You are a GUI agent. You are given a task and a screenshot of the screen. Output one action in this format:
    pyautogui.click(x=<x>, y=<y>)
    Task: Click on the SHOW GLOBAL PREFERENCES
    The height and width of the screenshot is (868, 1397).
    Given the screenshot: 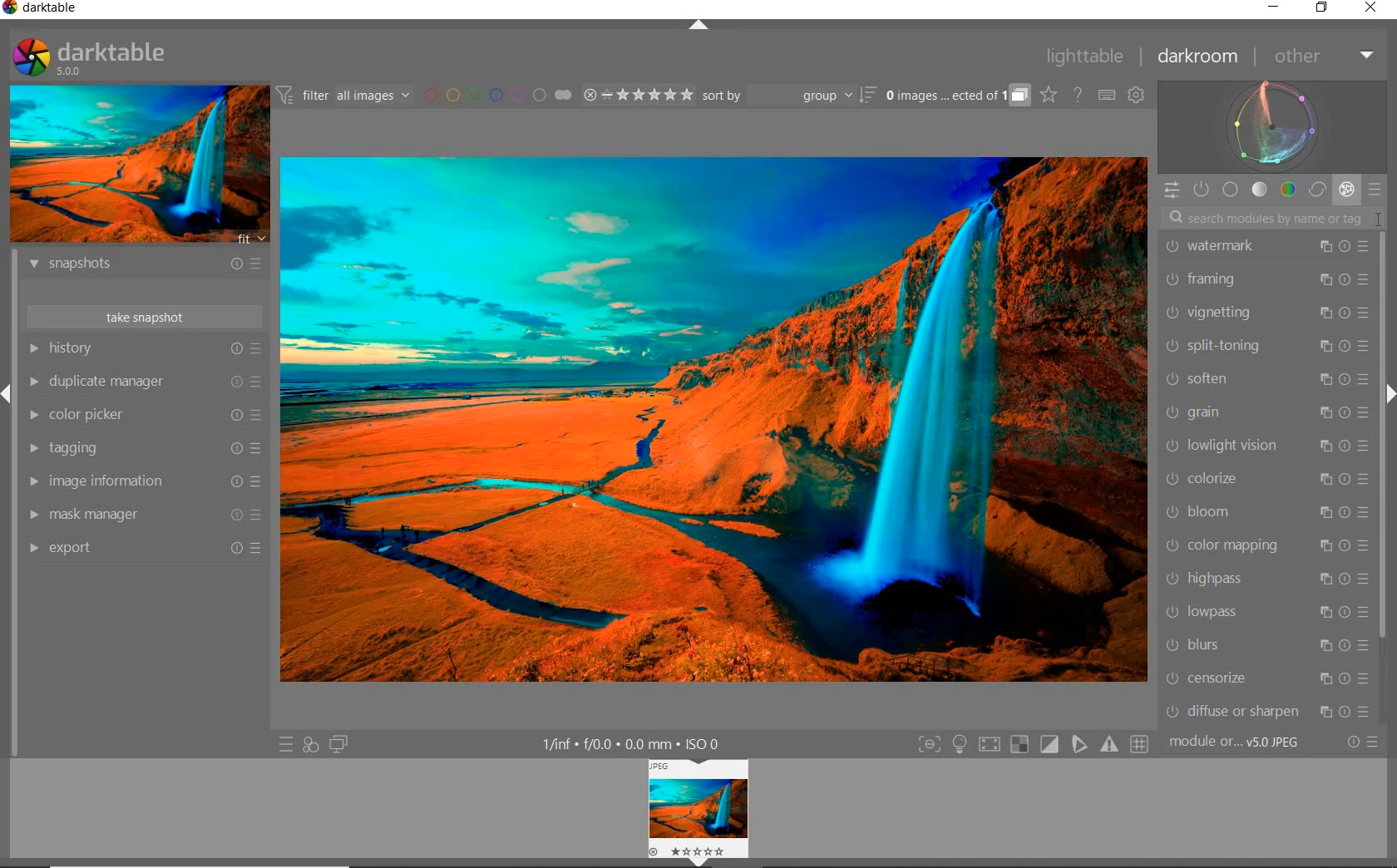 What is the action you would take?
    pyautogui.click(x=1136, y=95)
    